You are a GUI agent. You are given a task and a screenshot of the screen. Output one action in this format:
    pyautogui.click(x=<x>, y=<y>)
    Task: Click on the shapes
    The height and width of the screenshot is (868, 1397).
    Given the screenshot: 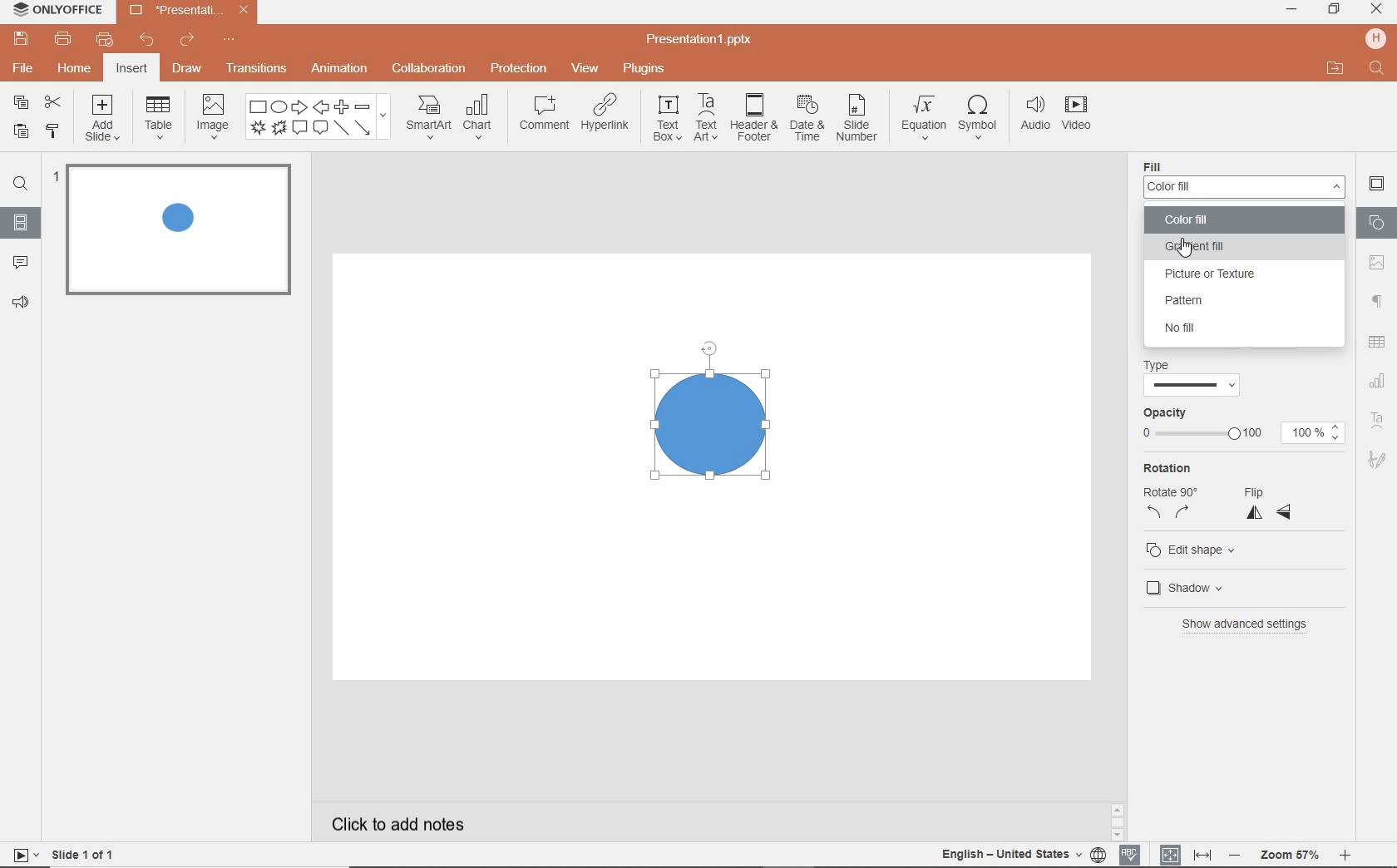 What is the action you would take?
    pyautogui.click(x=318, y=117)
    